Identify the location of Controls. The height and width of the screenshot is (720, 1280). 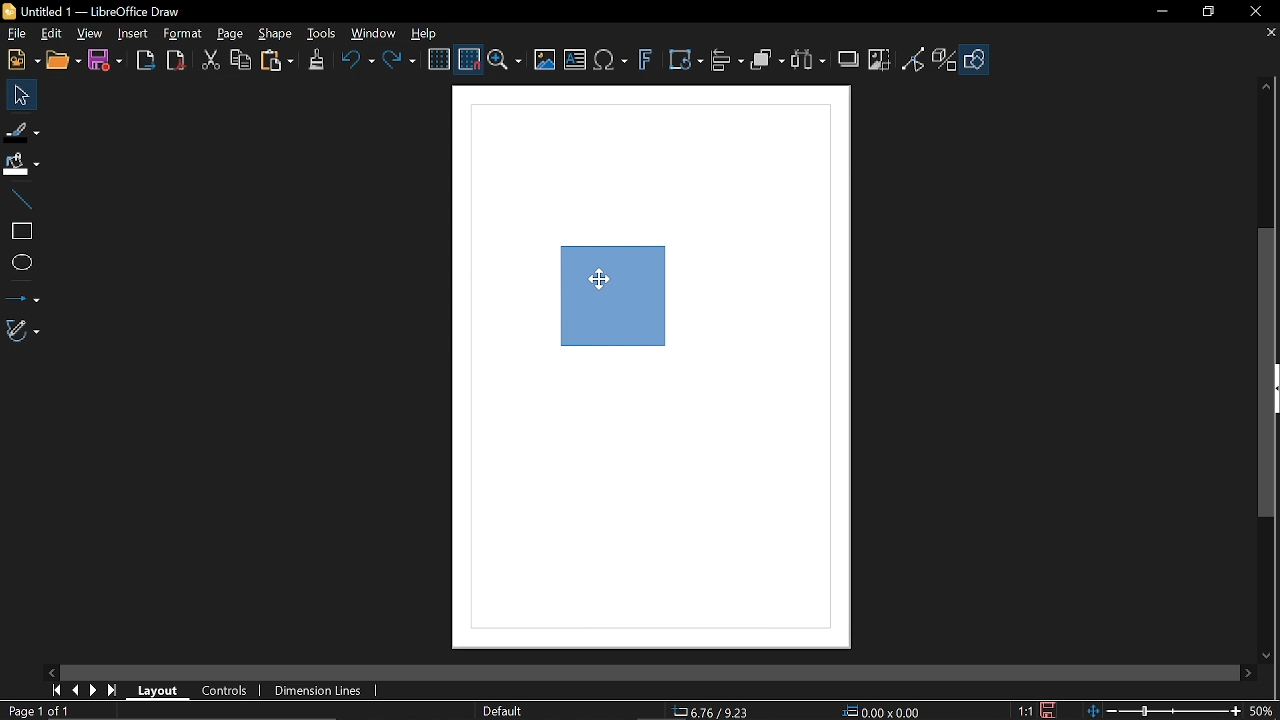
(224, 691).